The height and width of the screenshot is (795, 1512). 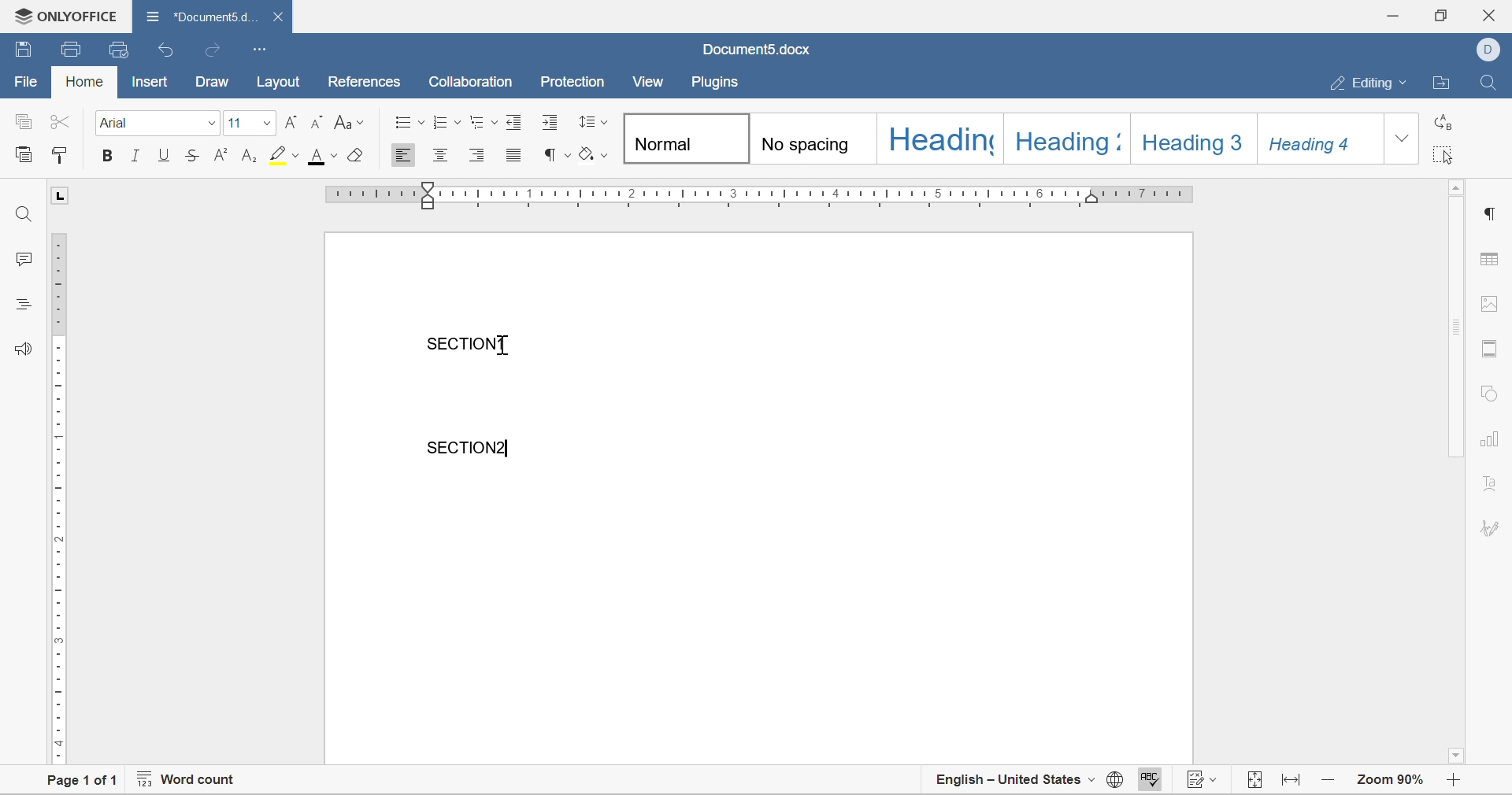 I want to click on home, so click(x=86, y=81).